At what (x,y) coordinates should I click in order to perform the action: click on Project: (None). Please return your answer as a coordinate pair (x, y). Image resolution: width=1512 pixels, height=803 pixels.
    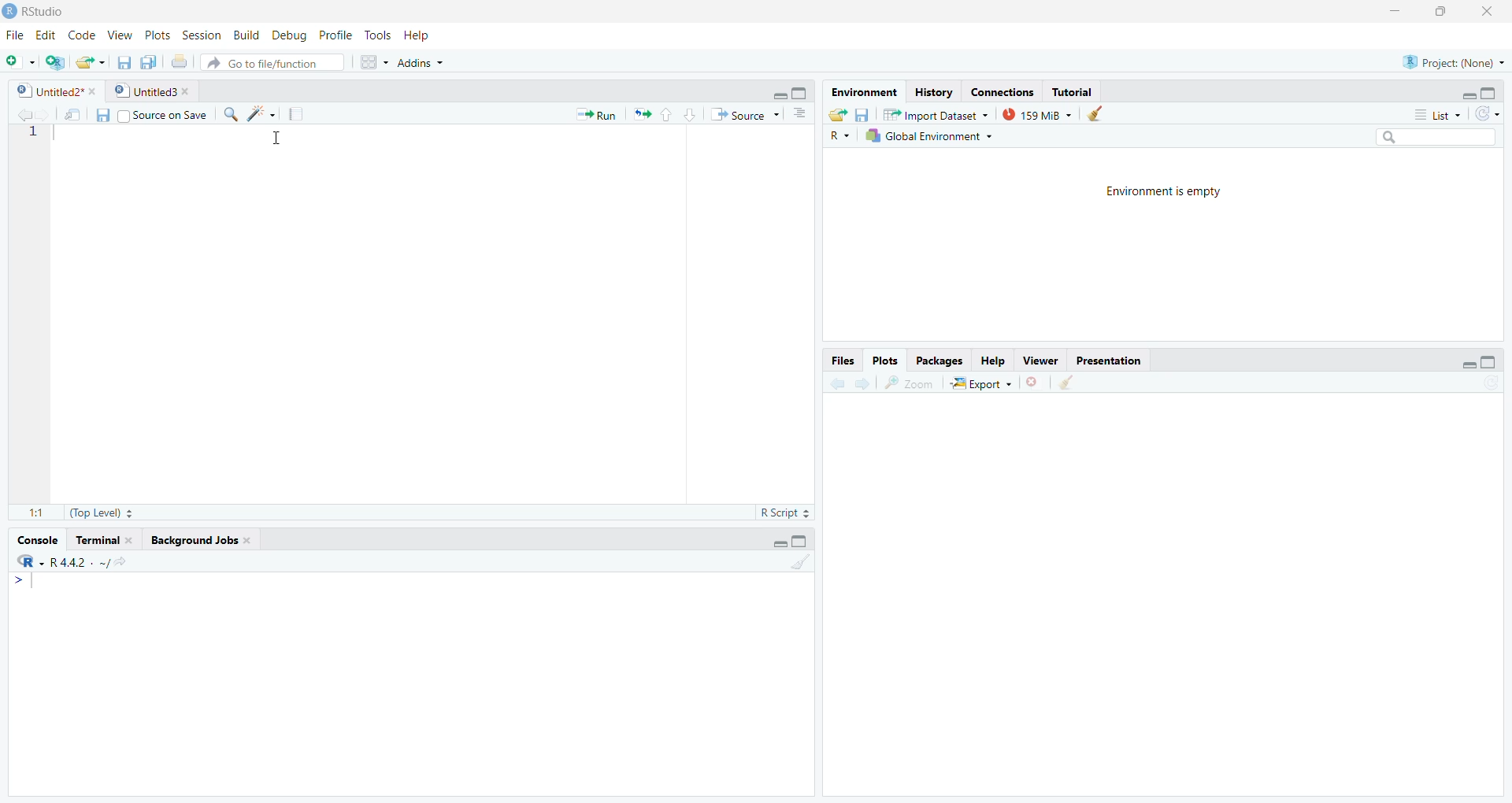
    Looking at the image, I should click on (1454, 62).